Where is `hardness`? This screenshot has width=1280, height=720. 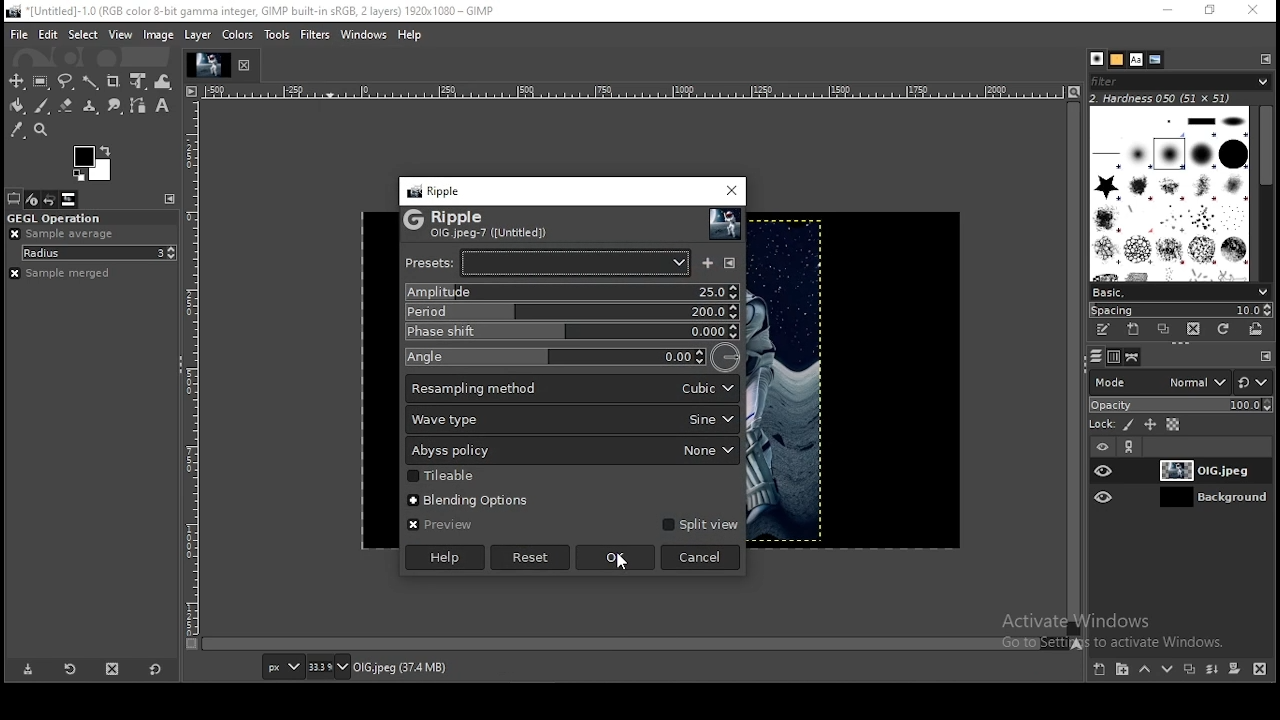 hardness is located at coordinates (1175, 98).